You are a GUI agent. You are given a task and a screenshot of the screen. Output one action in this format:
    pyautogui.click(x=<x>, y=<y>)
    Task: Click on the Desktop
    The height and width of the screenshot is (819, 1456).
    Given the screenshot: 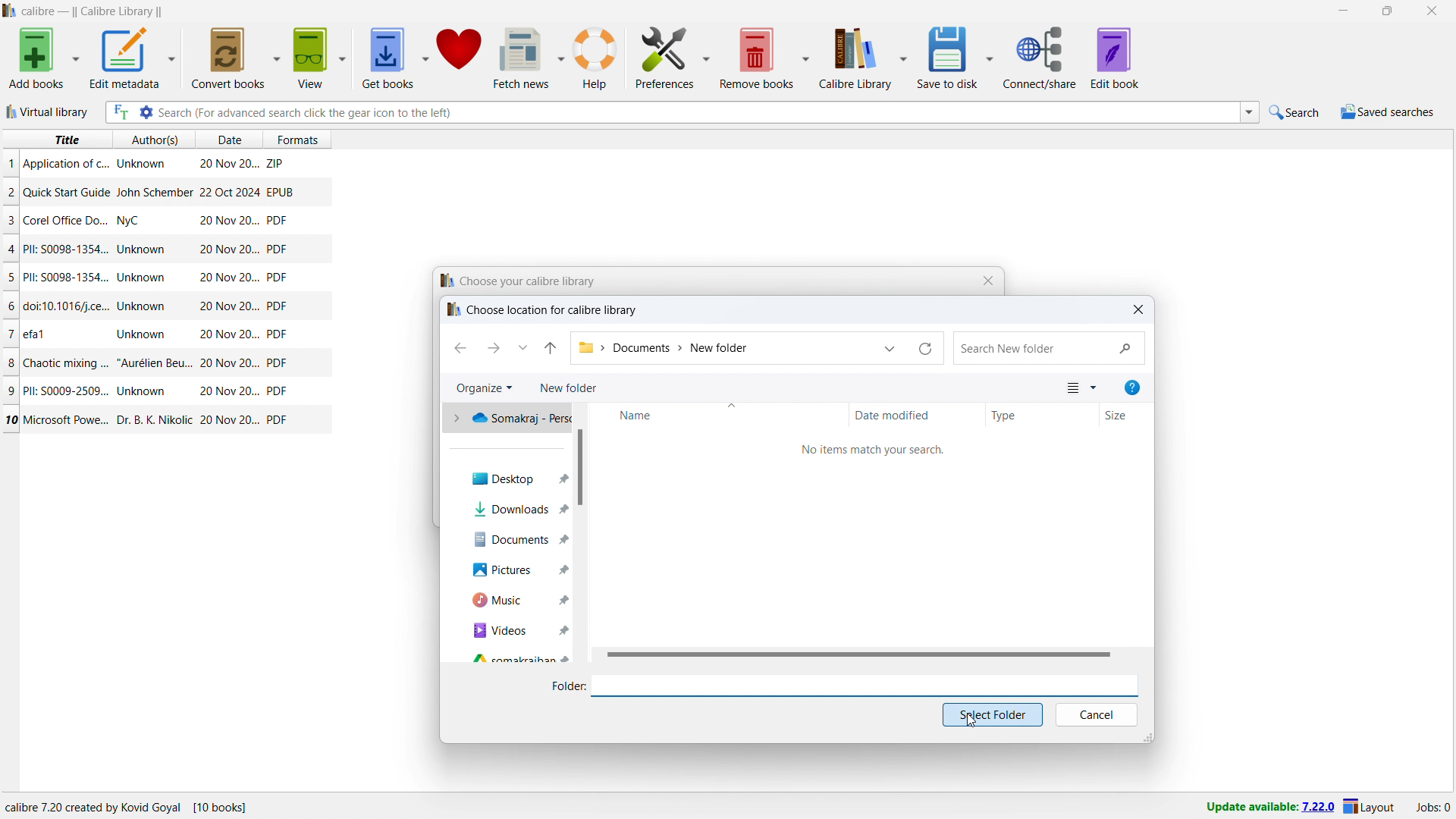 What is the action you would take?
    pyautogui.click(x=509, y=479)
    